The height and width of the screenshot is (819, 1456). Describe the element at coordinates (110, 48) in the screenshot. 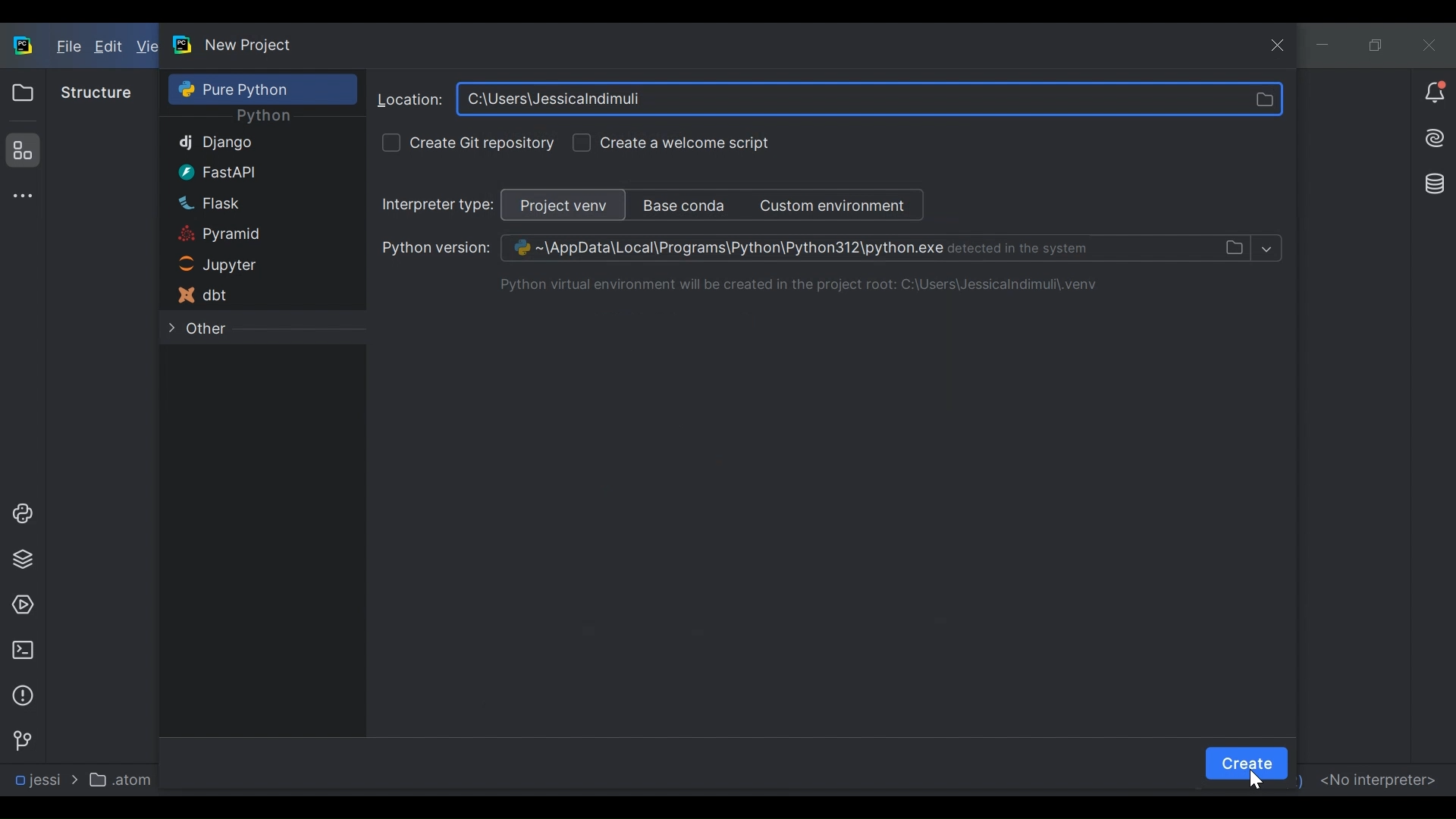

I see `Edit` at that location.